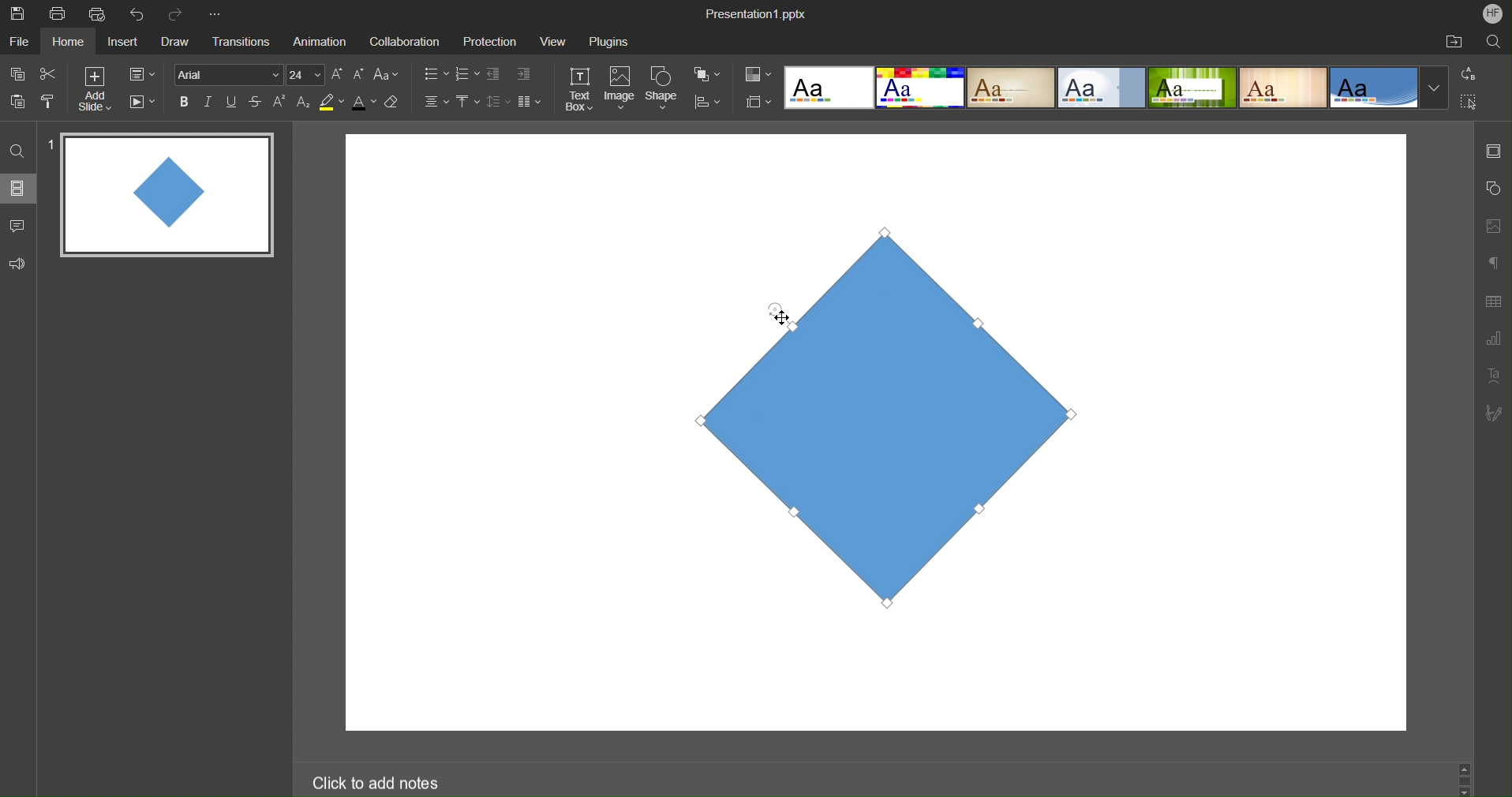 The height and width of the screenshot is (797, 1512). What do you see at coordinates (17, 74) in the screenshot?
I see `Copy` at bounding box center [17, 74].